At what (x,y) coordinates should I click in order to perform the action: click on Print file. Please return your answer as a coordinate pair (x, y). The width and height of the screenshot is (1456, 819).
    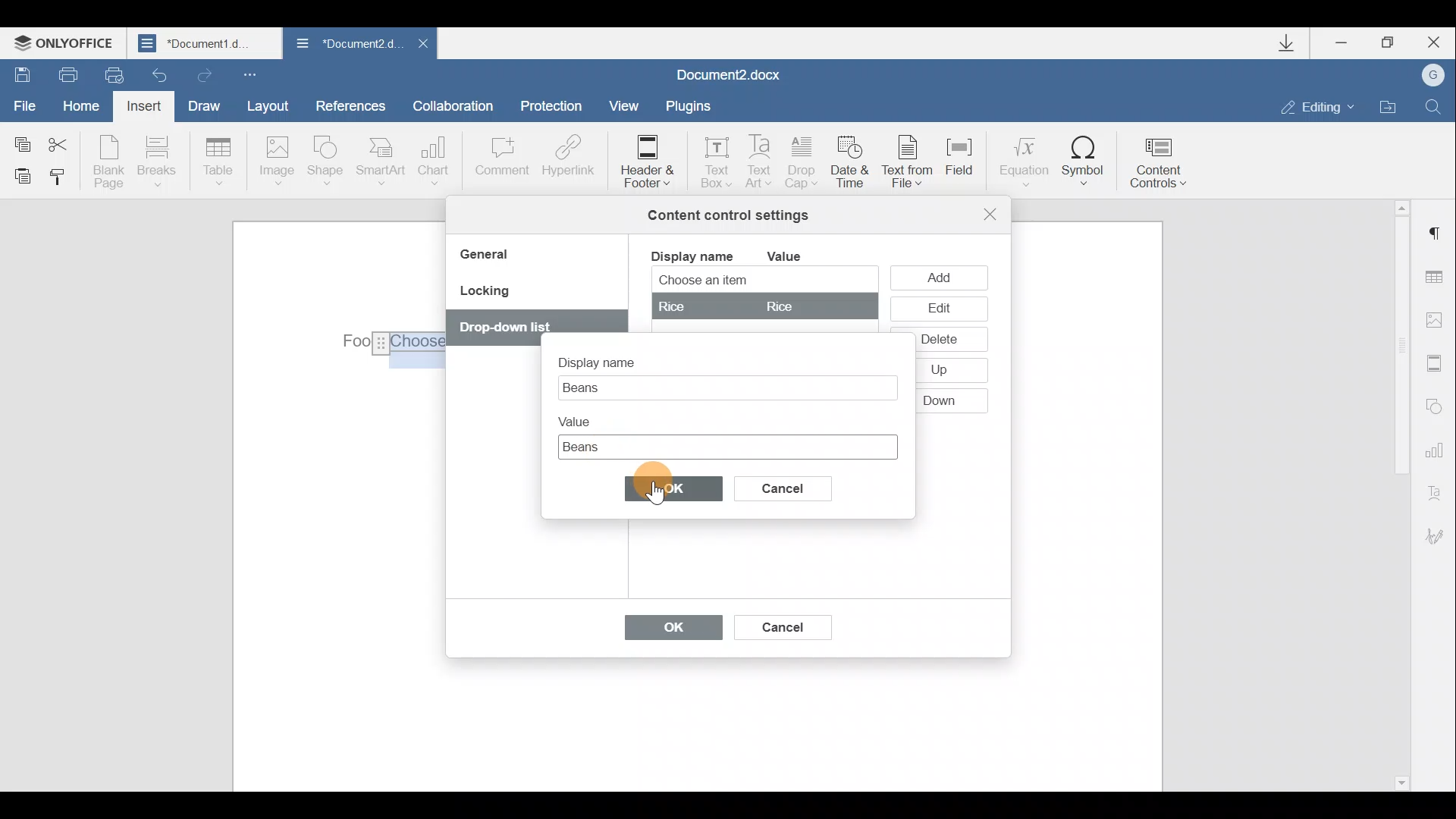
    Looking at the image, I should click on (60, 74).